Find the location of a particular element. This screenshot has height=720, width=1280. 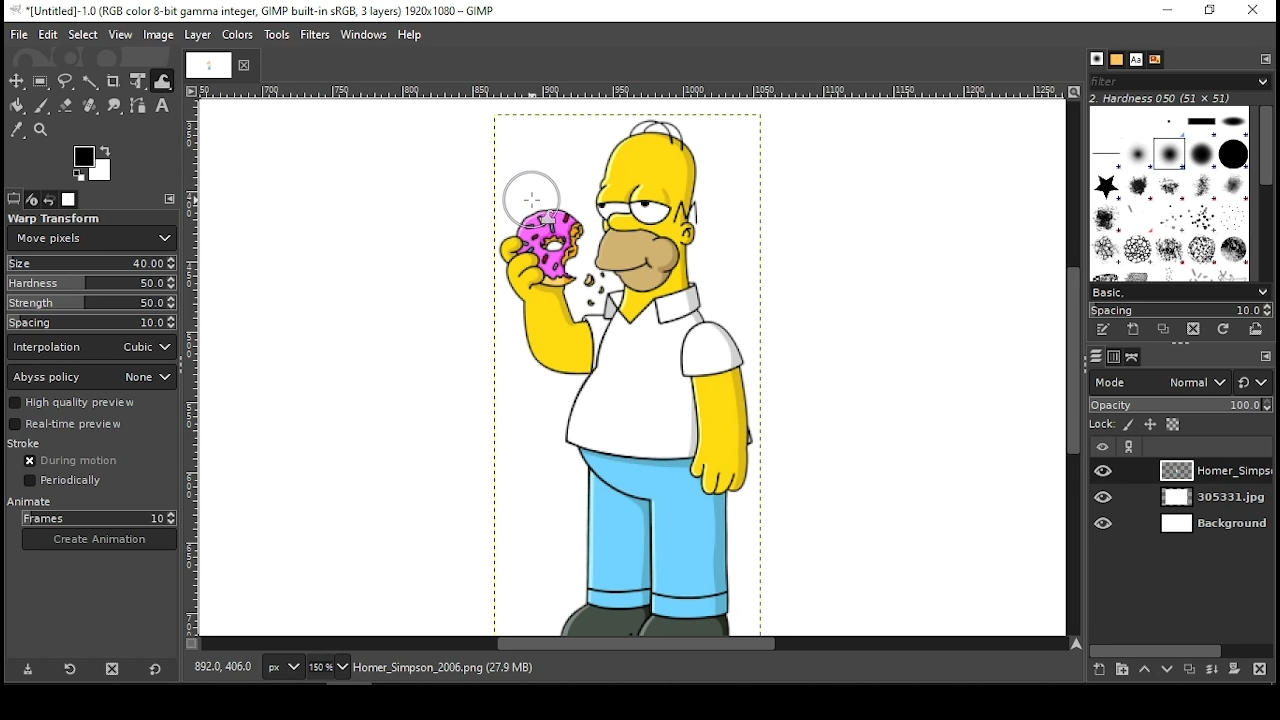

refresh brushes is located at coordinates (1226, 329).